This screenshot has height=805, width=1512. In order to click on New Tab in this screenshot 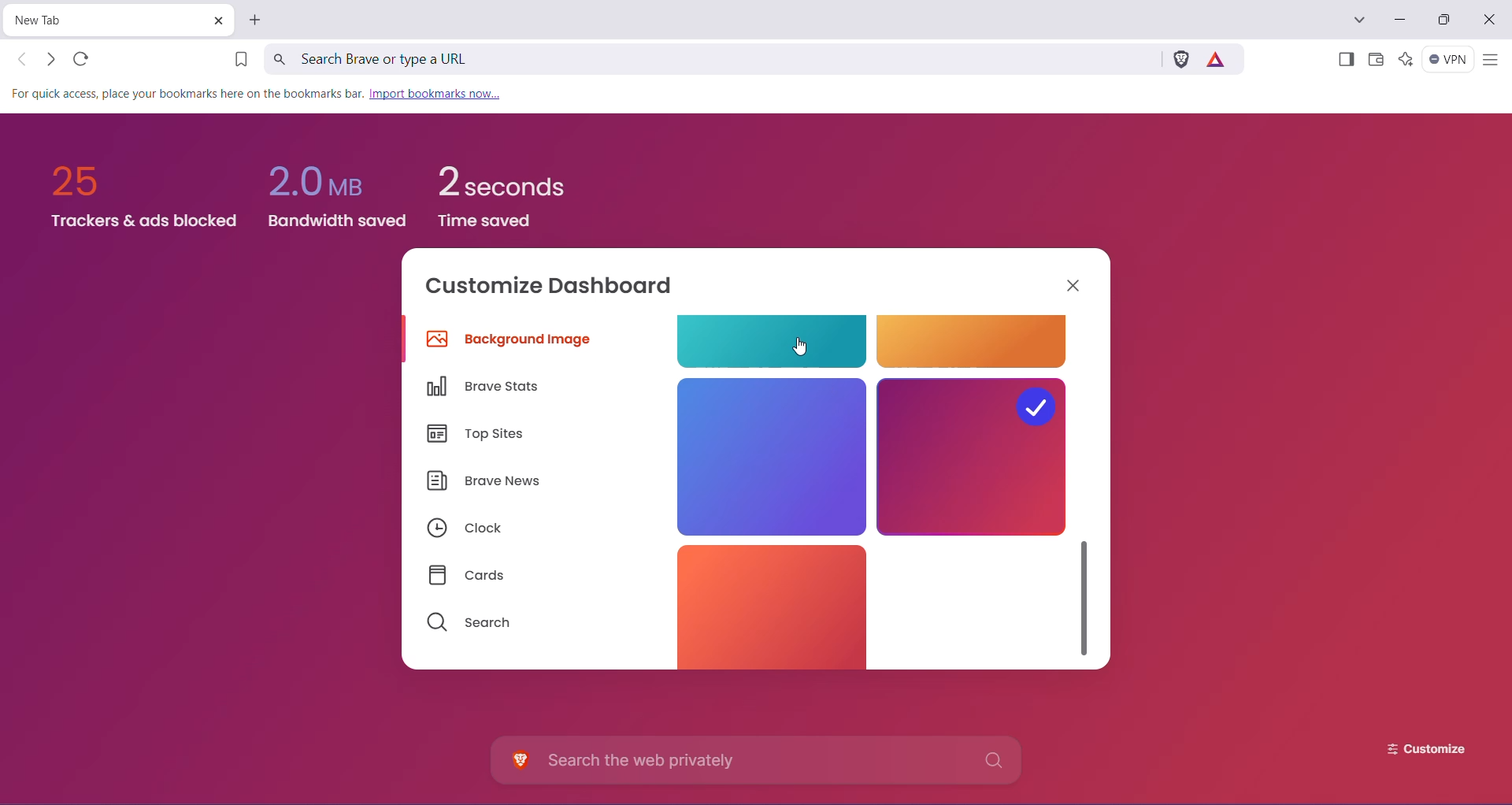, I will do `click(106, 20)`.